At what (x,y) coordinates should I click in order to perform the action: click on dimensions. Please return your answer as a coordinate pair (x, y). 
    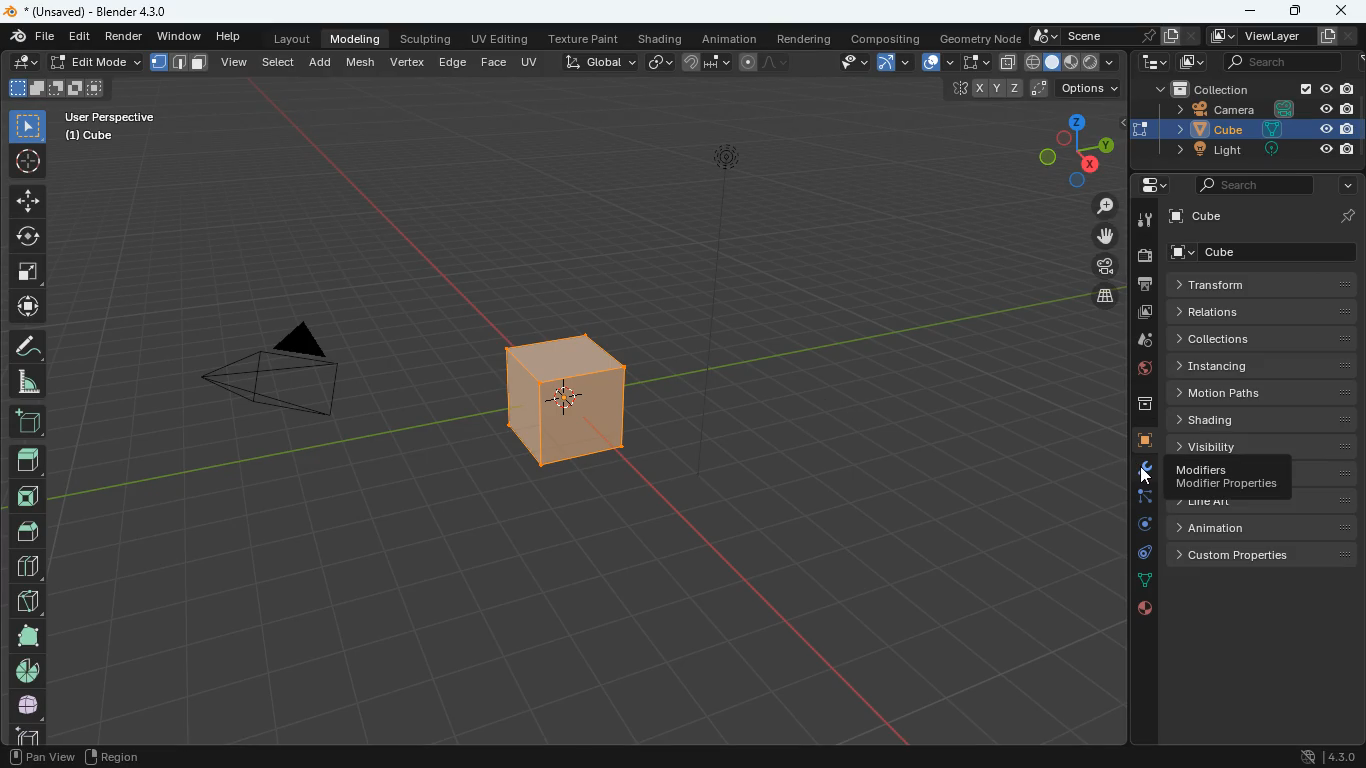
    Looking at the image, I should click on (1063, 149).